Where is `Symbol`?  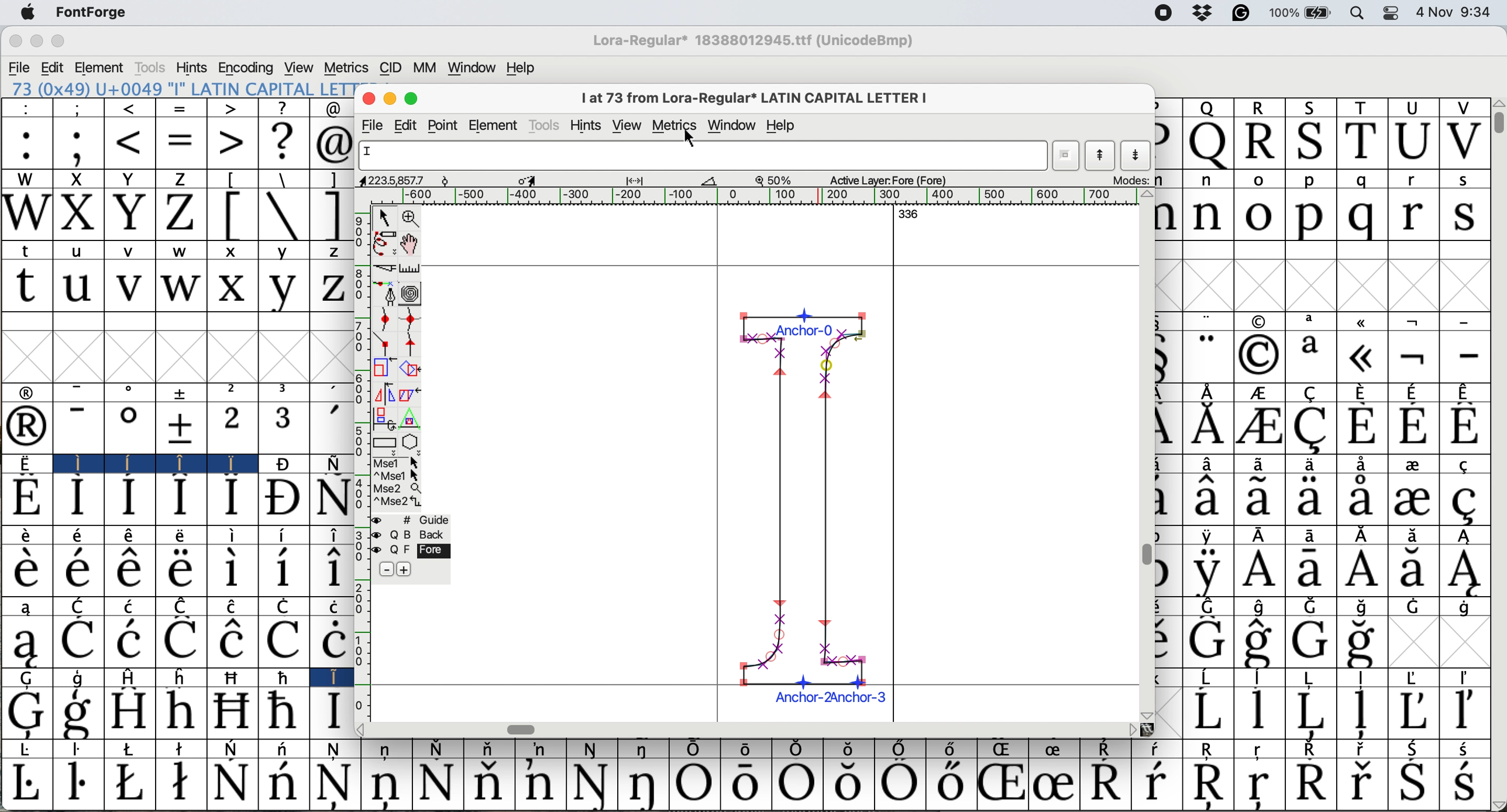 Symbol is located at coordinates (1414, 391).